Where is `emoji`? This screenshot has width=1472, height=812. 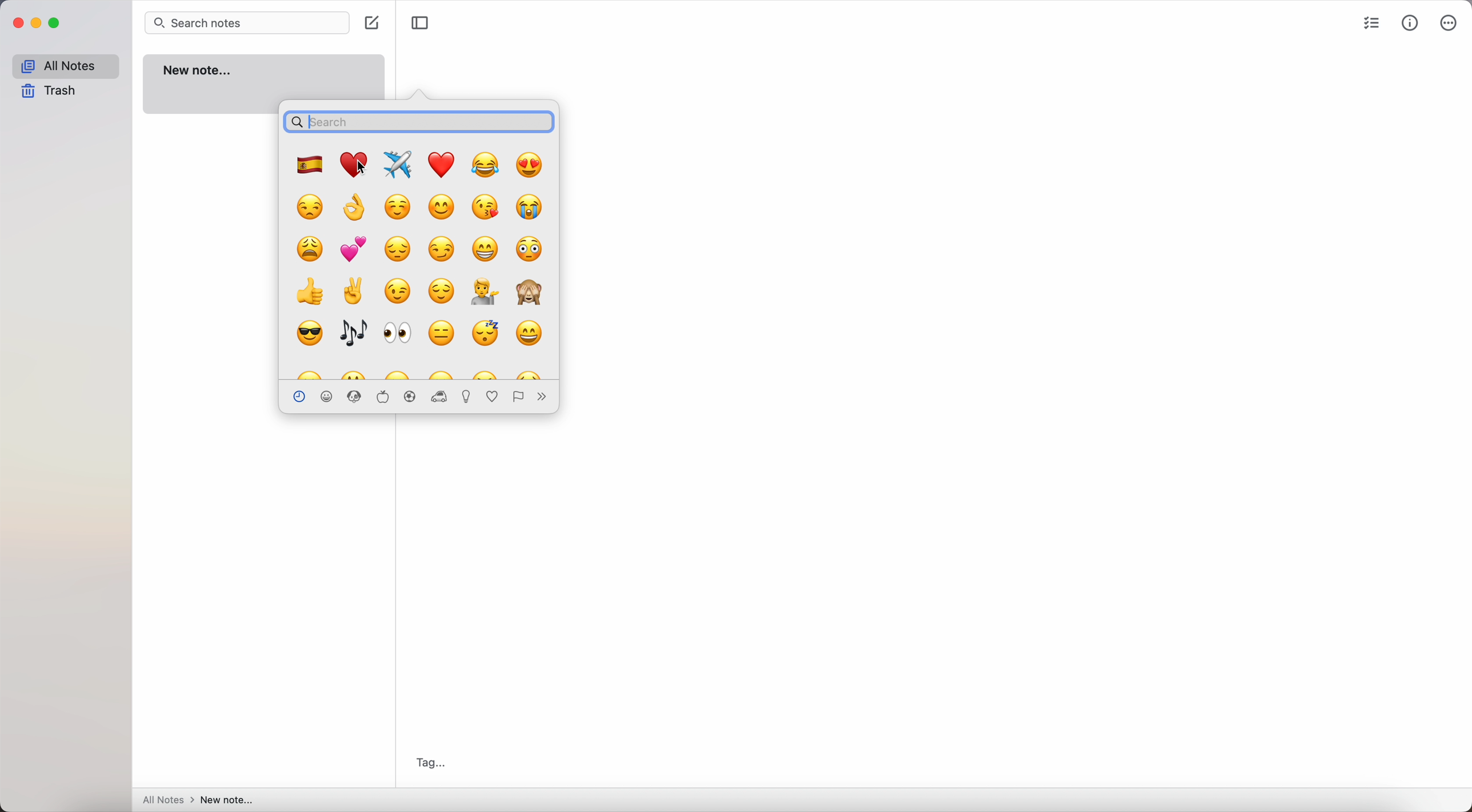
emoji is located at coordinates (309, 332).